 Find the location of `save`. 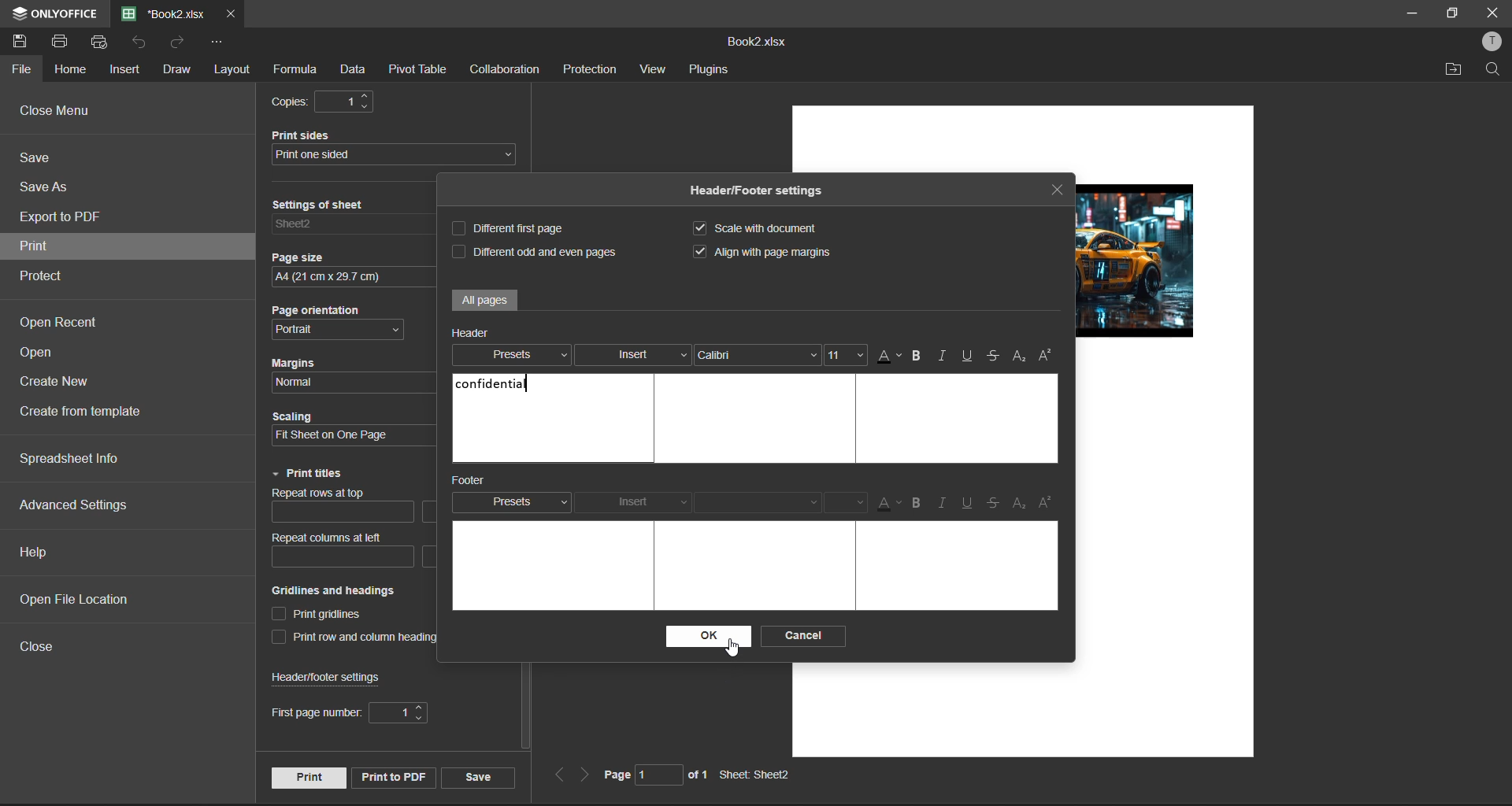

save is located at coordinates (476, 776).